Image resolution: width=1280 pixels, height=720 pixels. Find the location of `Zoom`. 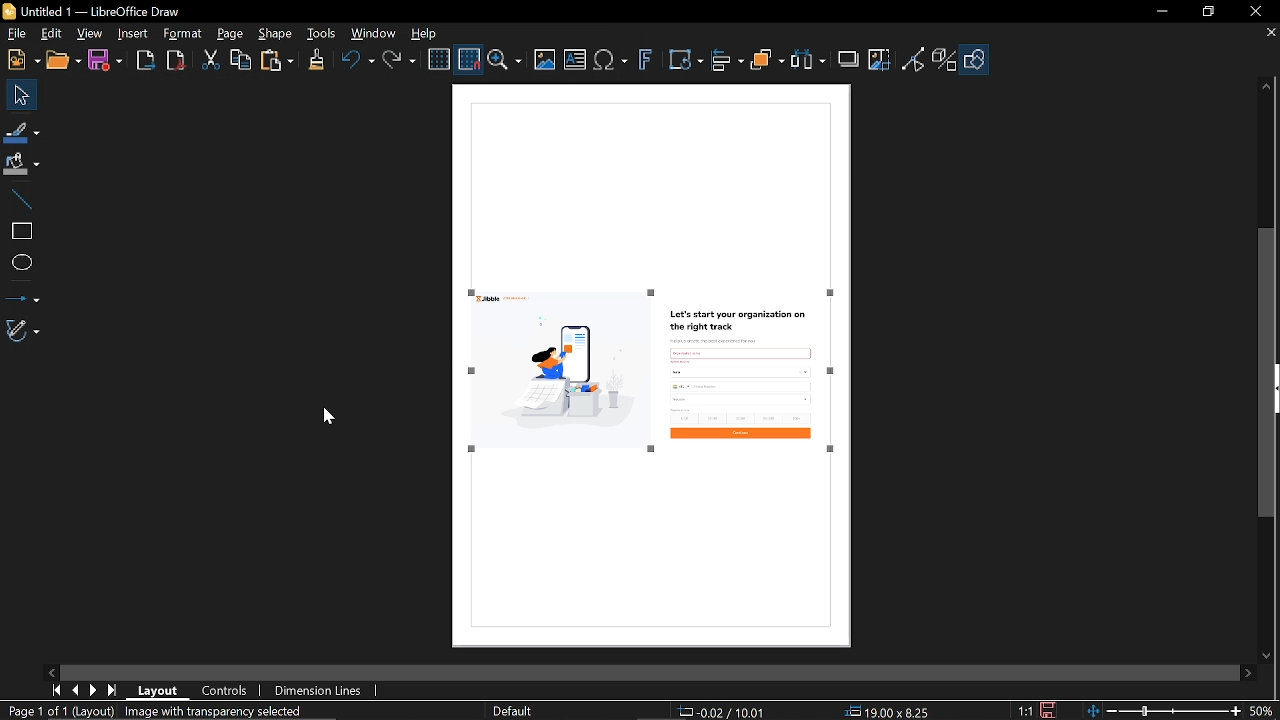

Zoom is located at coordinates (505, 59).